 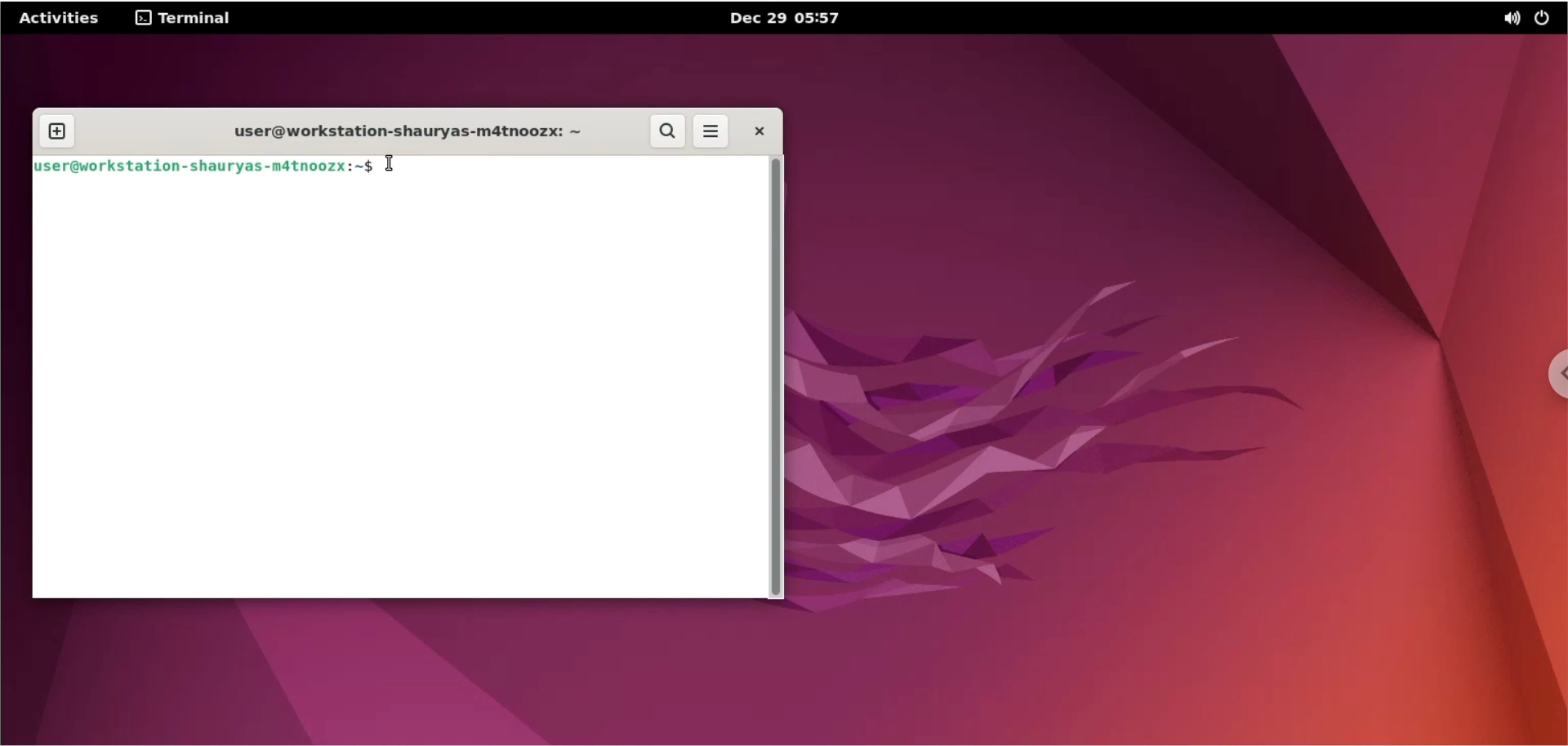 What do you see at coordinates (1552, 373) in the screenshot?
I see `chrome options` at bounding box center [1552, 373].